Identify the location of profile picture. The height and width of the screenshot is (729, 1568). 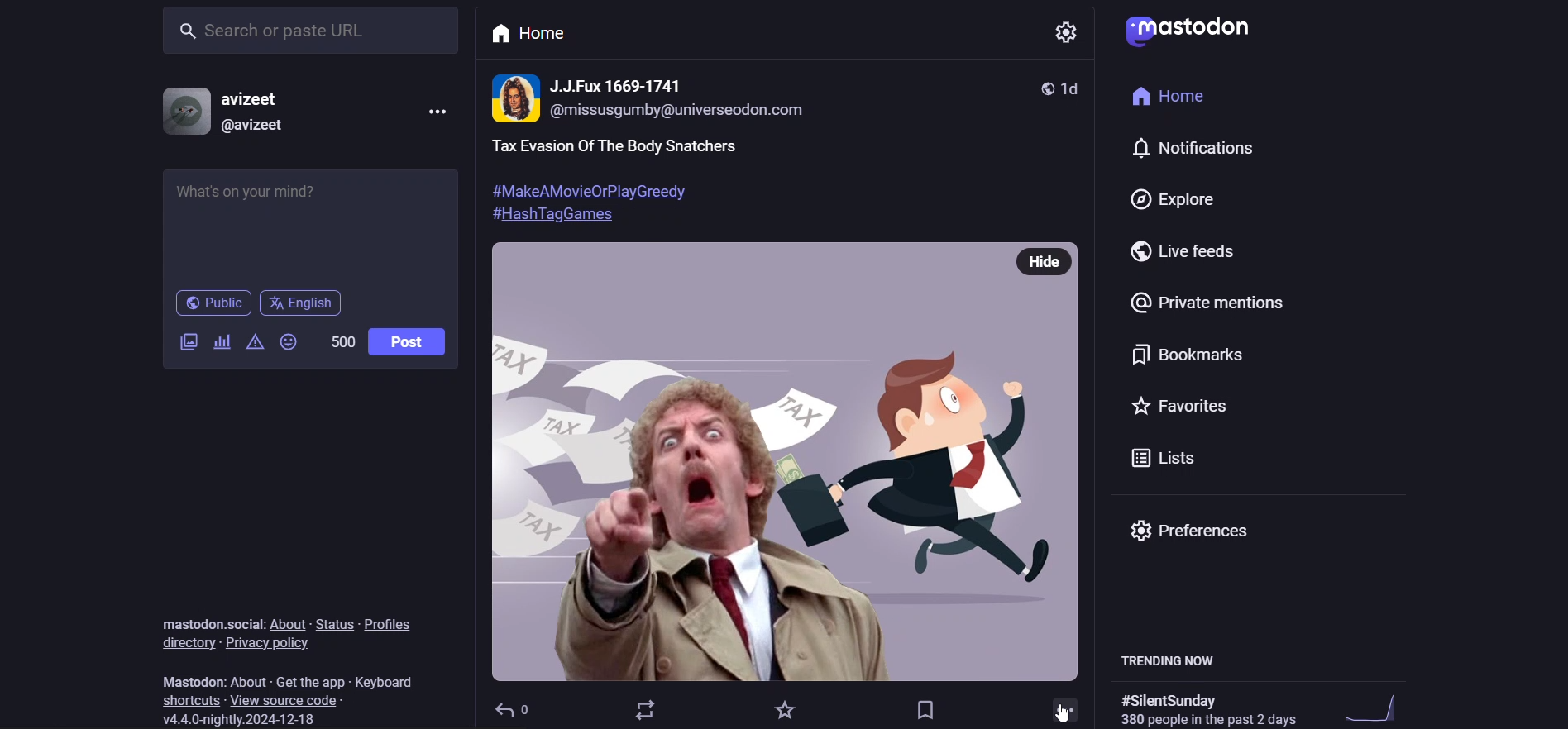
(184, 112).